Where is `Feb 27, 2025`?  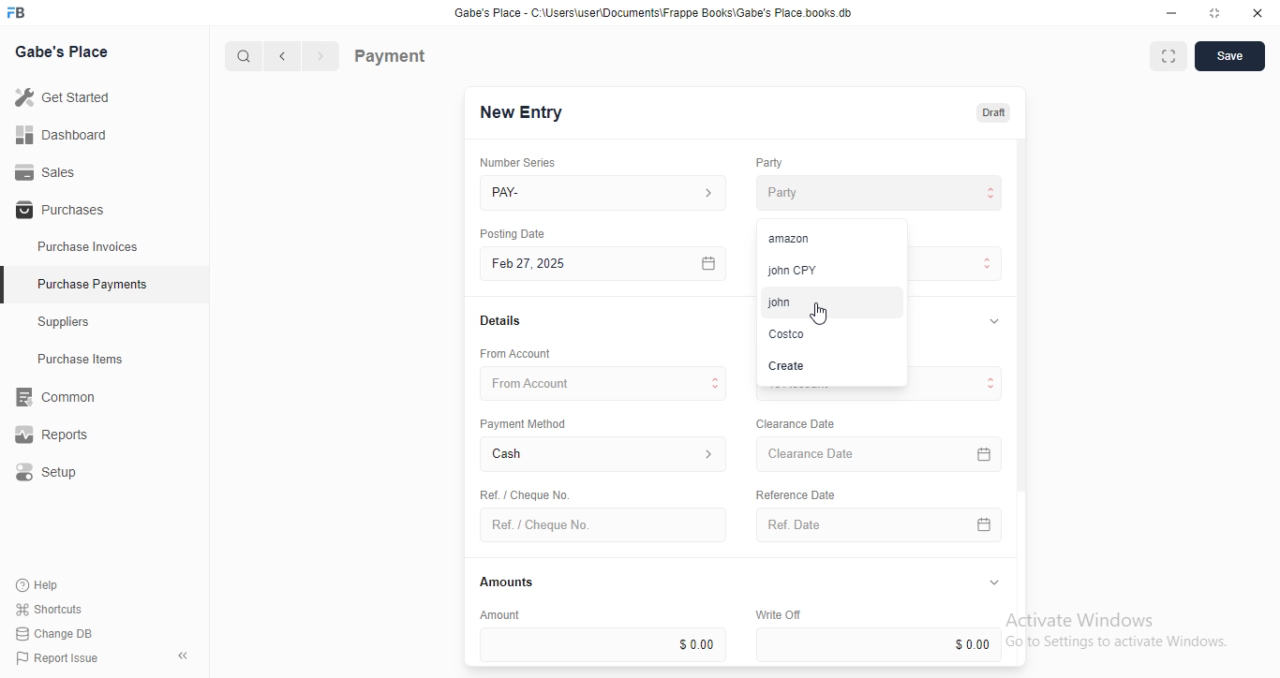 Feb 27, 2025 is located at coordinates (606, 264).